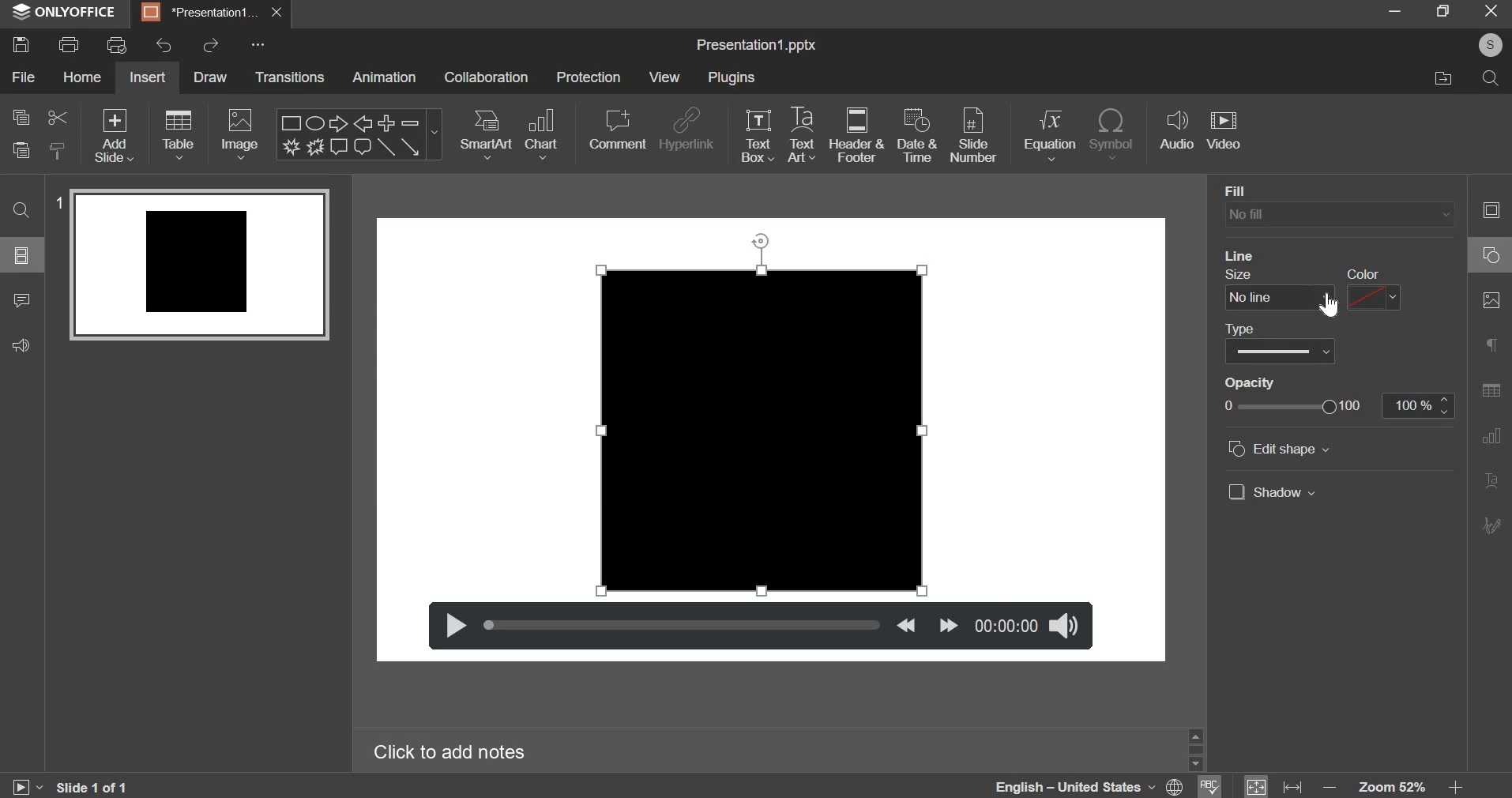 The height and width of the screenshot is (798, 1512). Describe the element at coordinates (1217, 785) in the screenshot. I see `spelling` at that location.